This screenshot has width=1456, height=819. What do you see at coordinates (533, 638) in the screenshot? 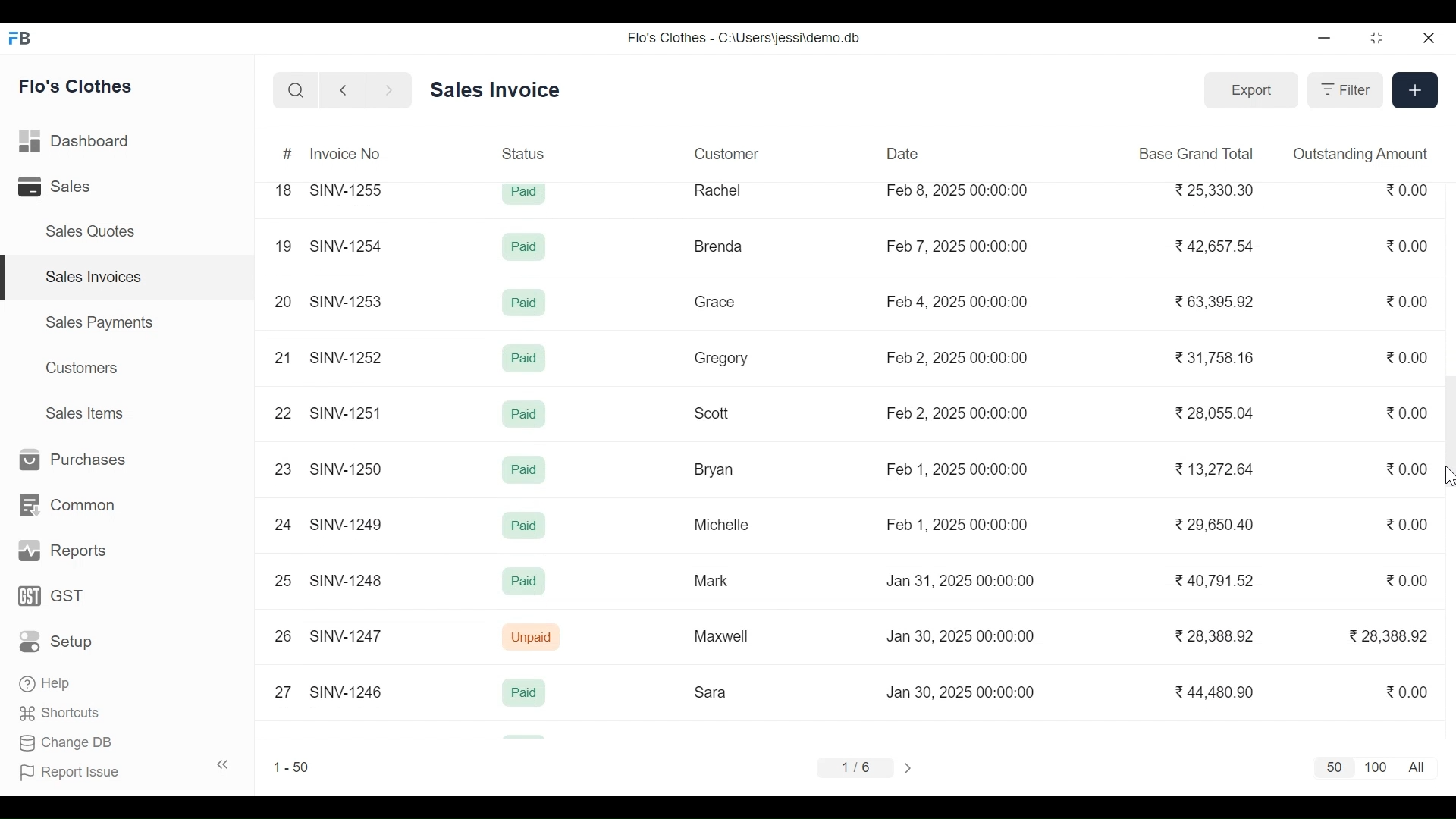
I see `Unpaid` at bounding box center [533, 638].